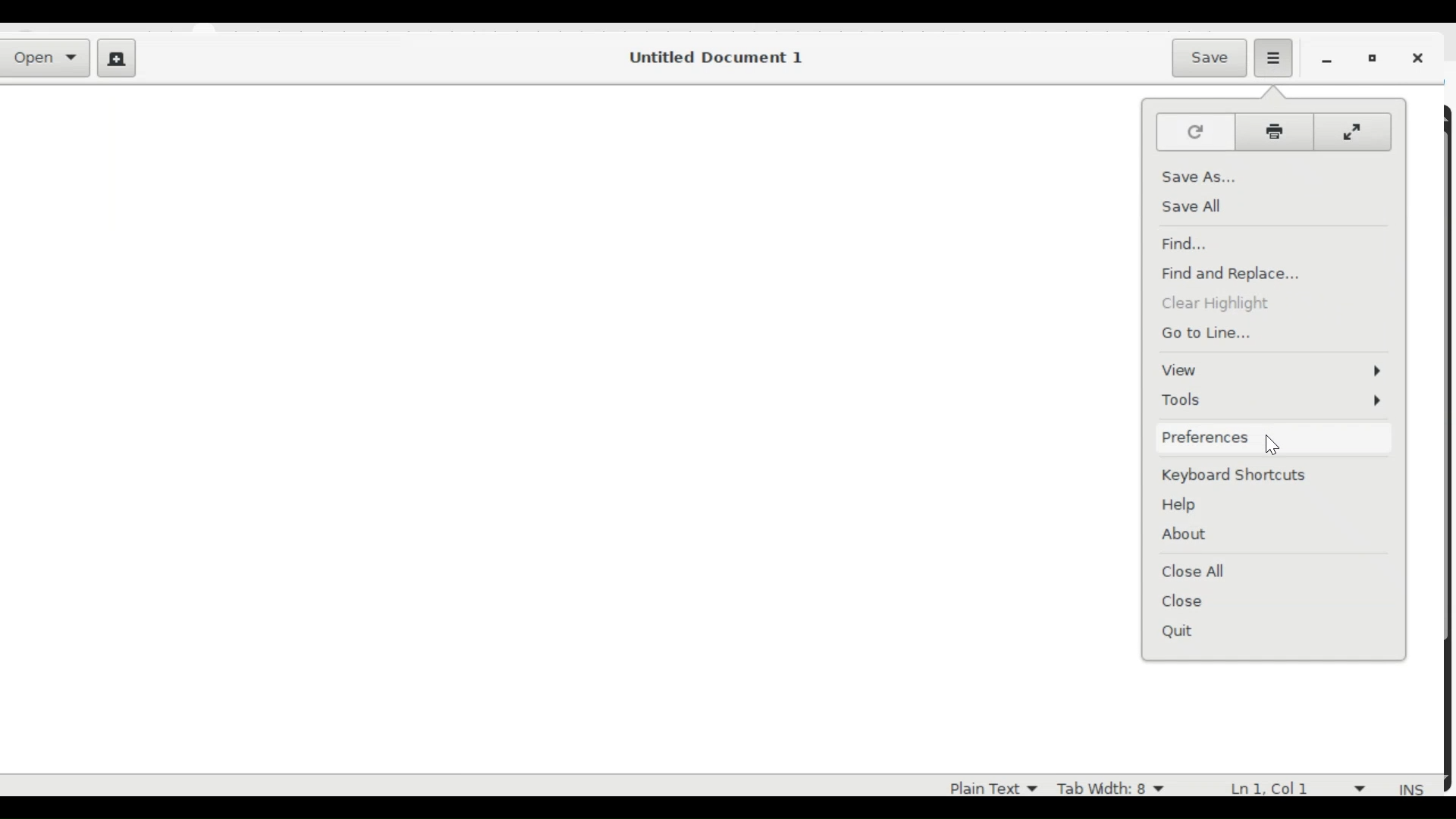 Image resolution: width=1456 pixels, height=819 pixels. I want to click on INS, so click(1413, 789).